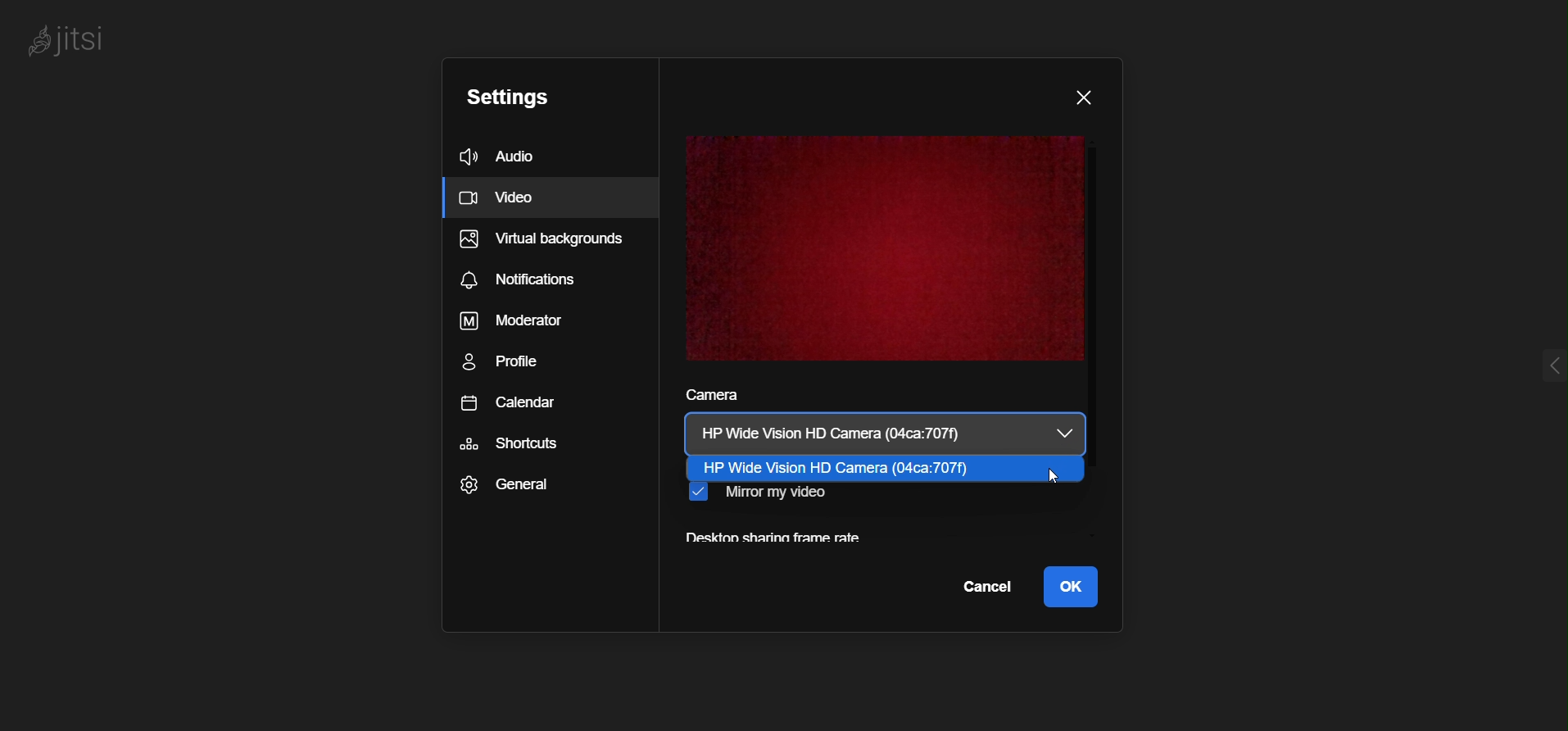 This screenshot has width=1568, height=731. What do you see at coordinates (1072, 434) in the screenshot?
I see `camera dropdown` at bounding box center [1072, 434].